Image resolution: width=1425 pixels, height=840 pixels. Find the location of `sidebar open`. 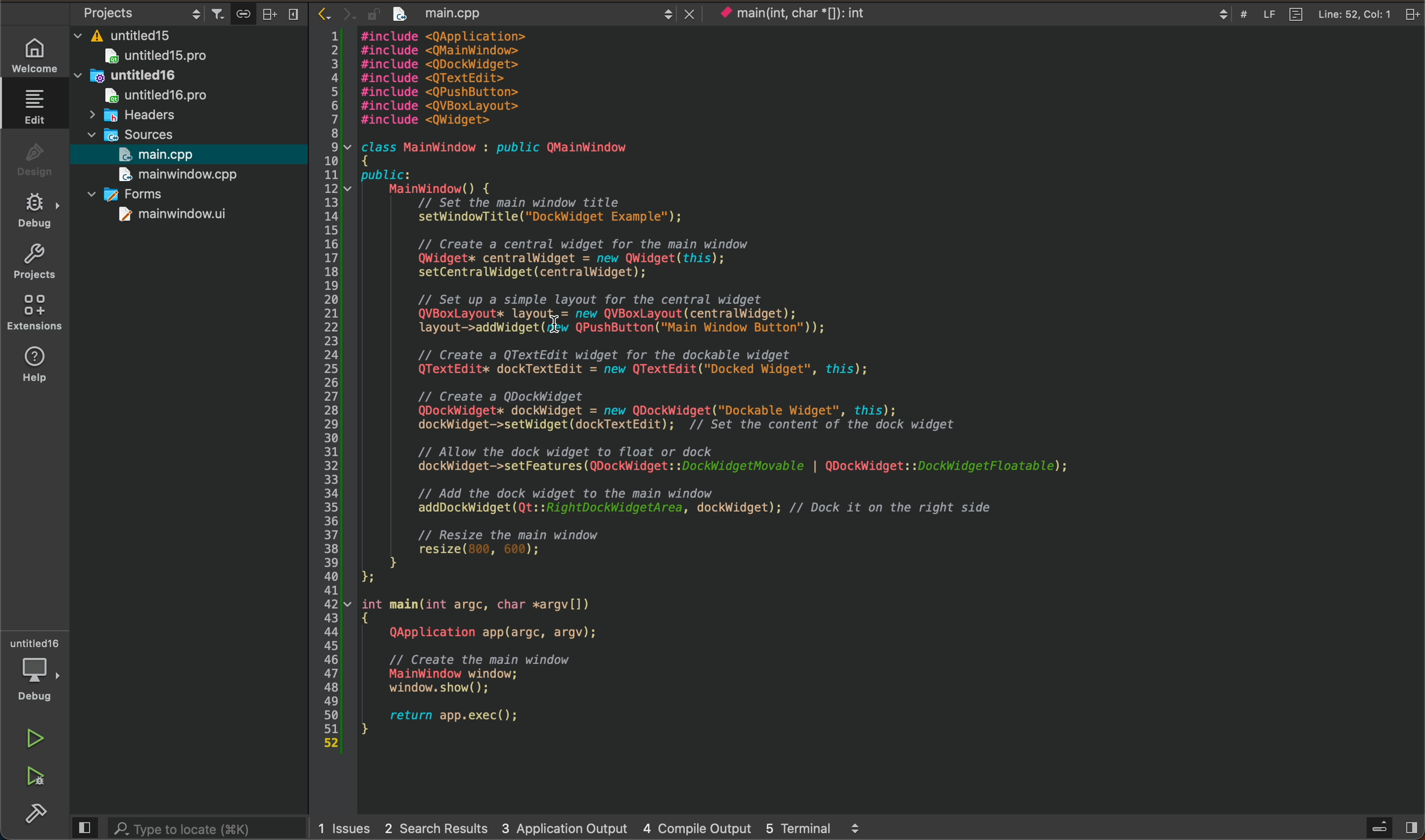

sidebar open is located at coordinates (1389, 828).